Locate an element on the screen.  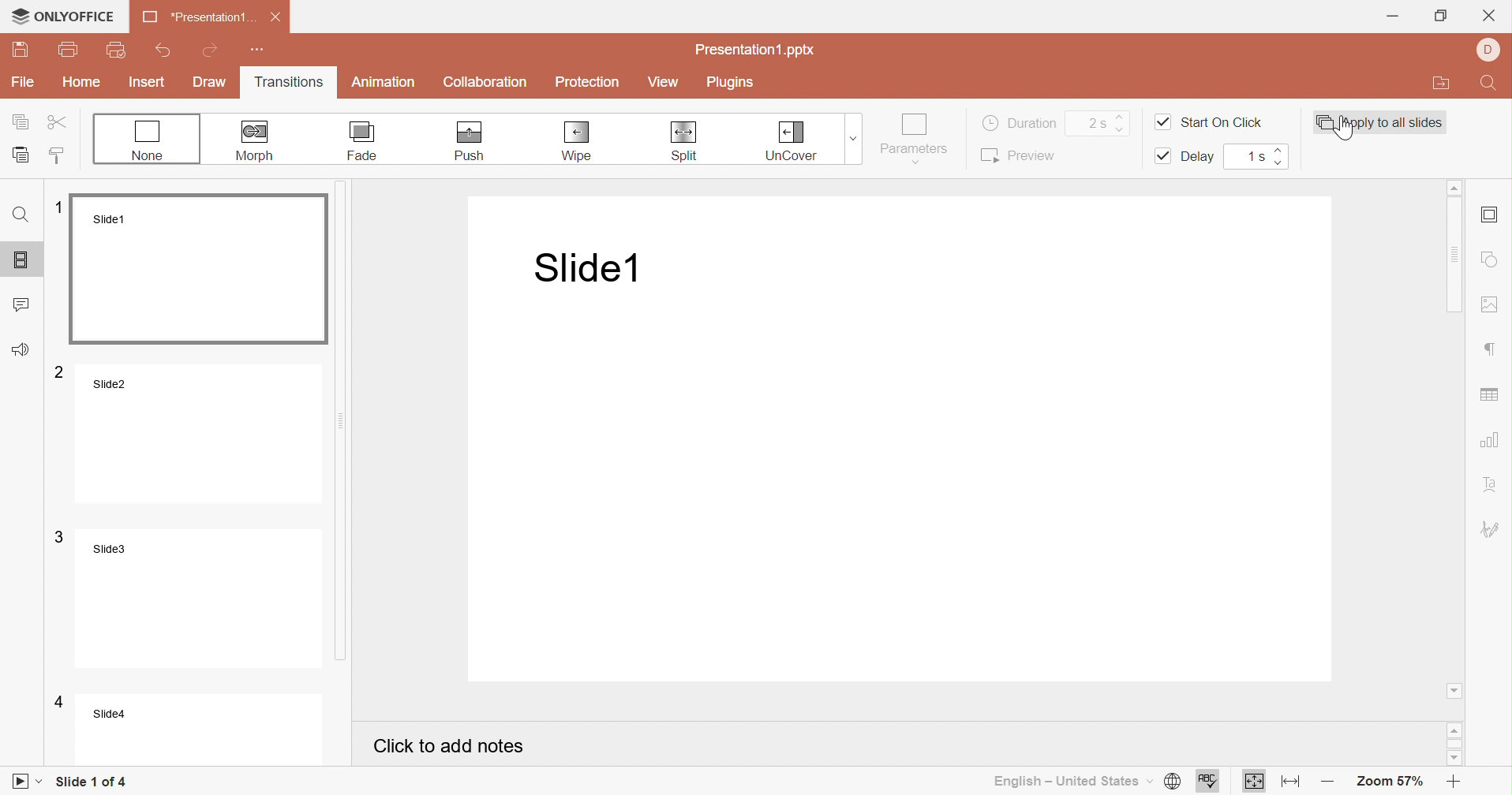
Find is located at coordinates (1491, 82).